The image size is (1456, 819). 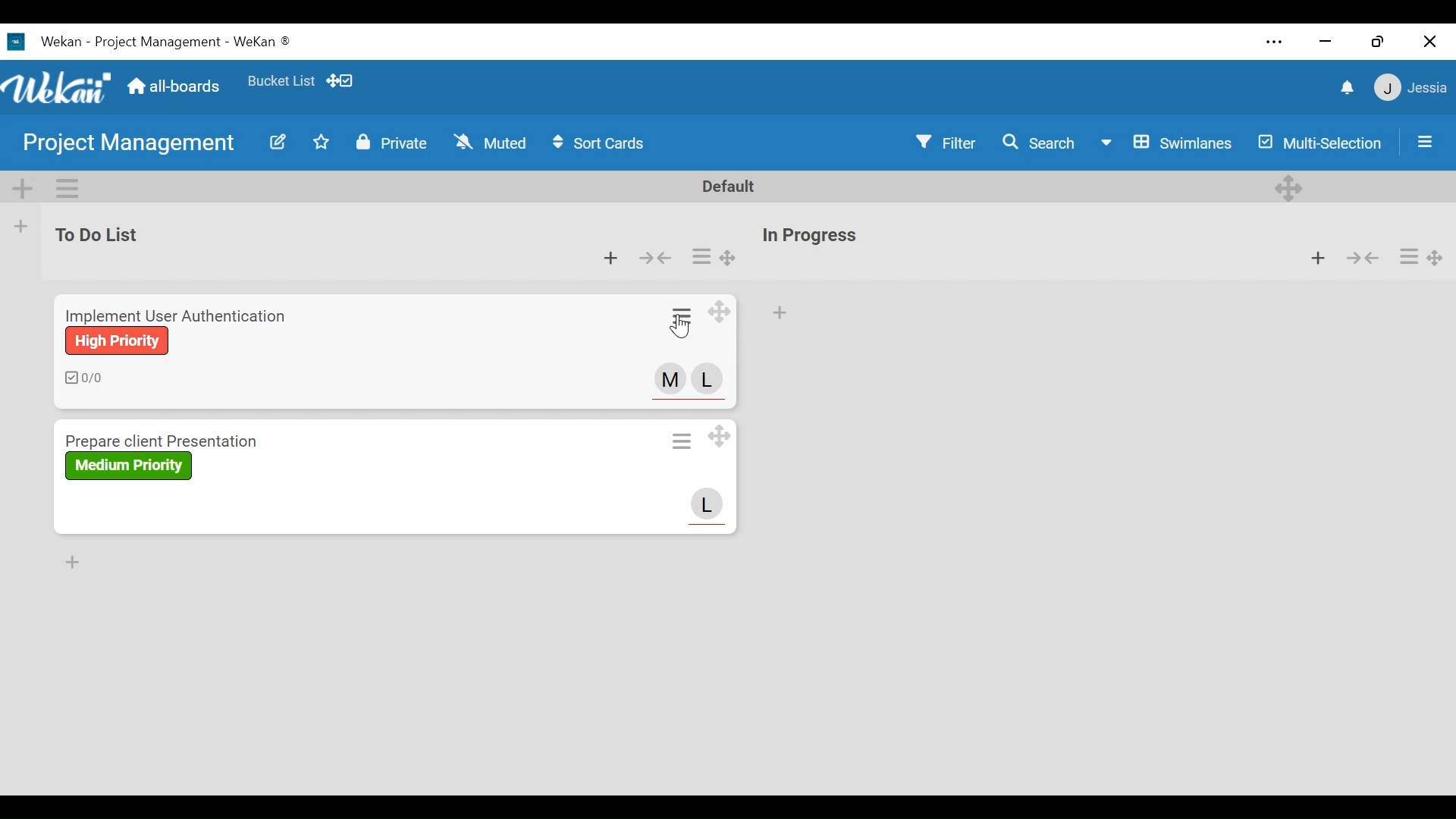 I want to click on Member, so click(x=668, y=378).